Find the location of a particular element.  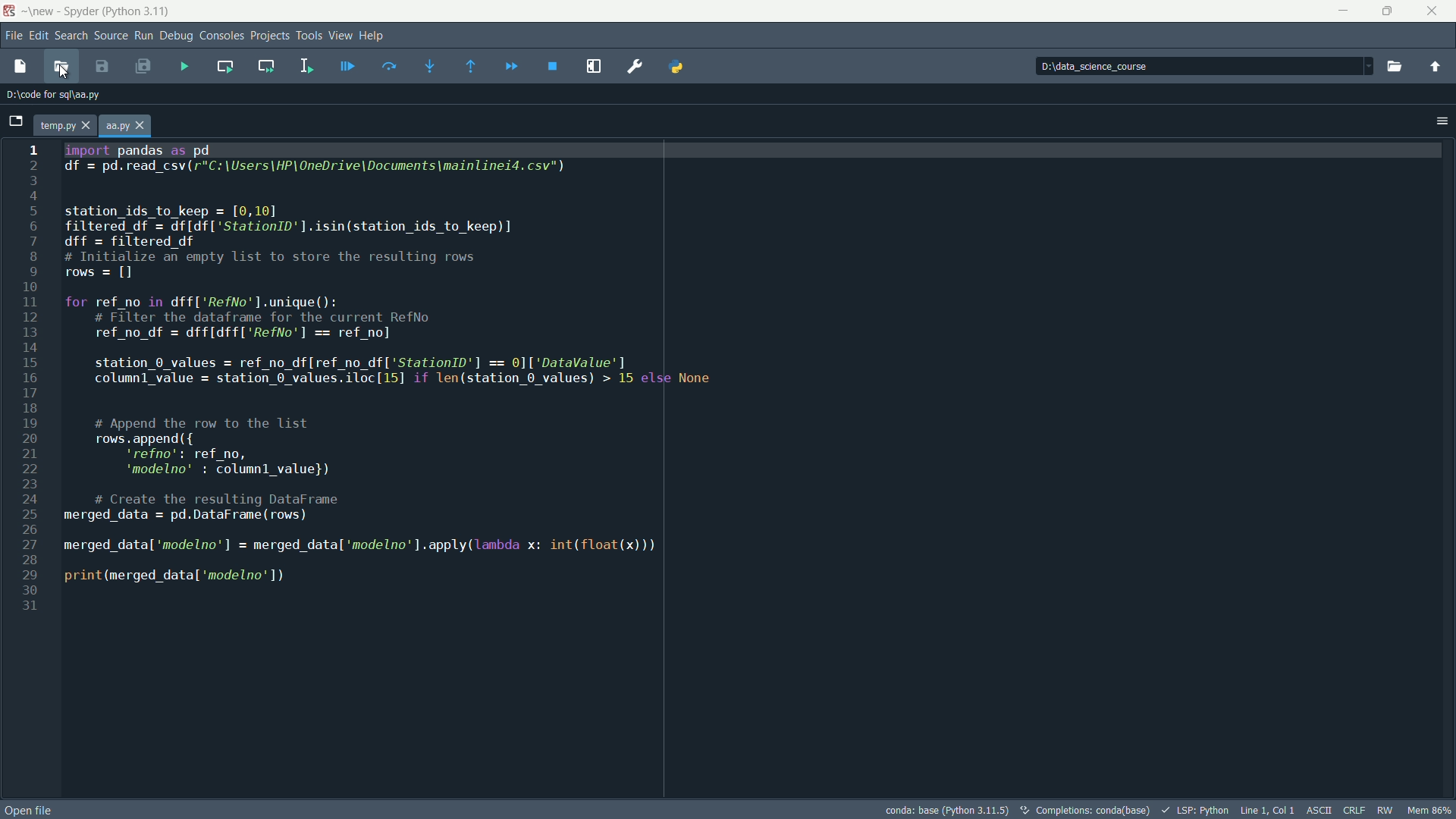

run file is located at coordinates (190, 65).